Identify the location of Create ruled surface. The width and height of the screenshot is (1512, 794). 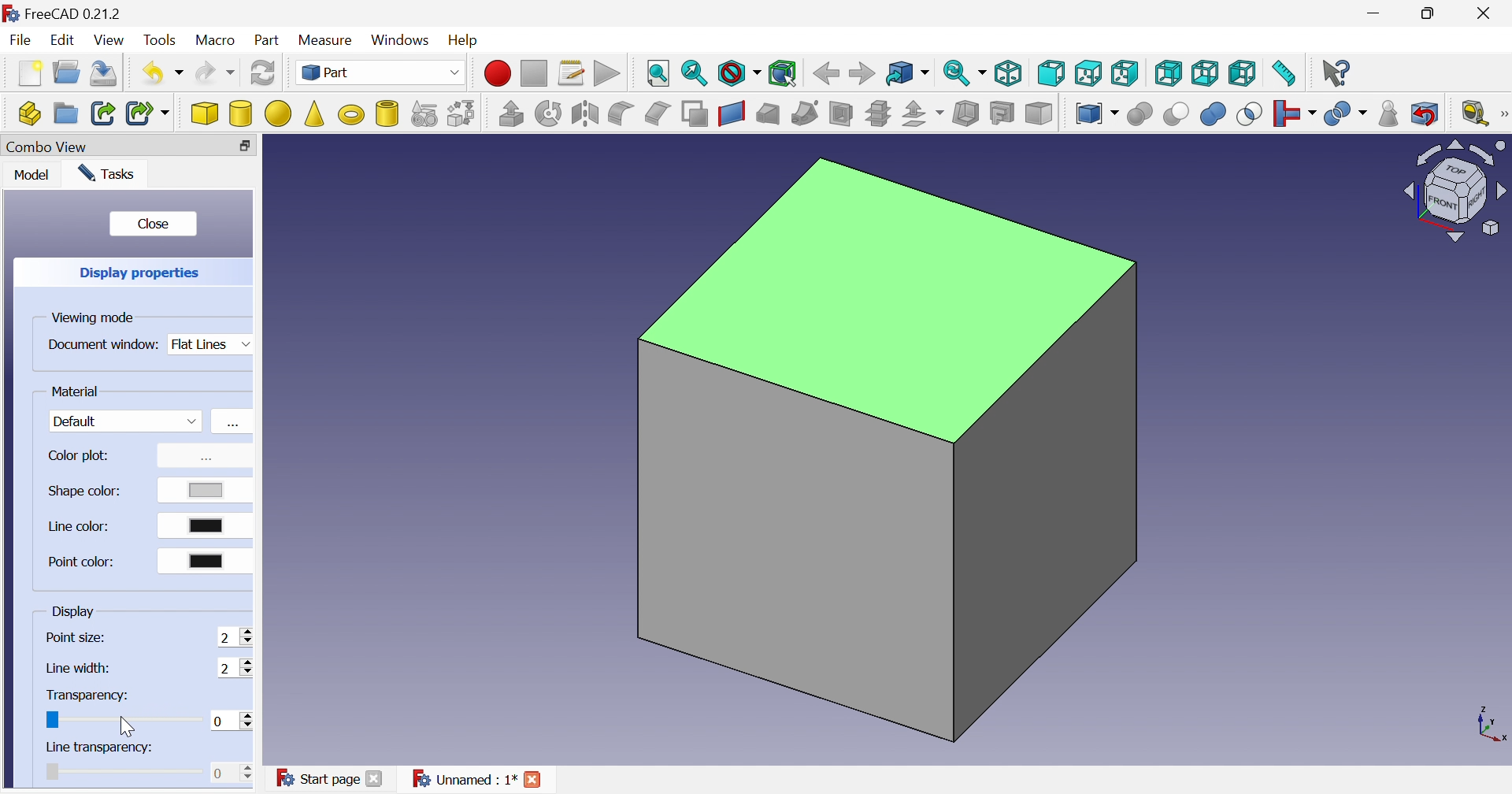
(732, 114).